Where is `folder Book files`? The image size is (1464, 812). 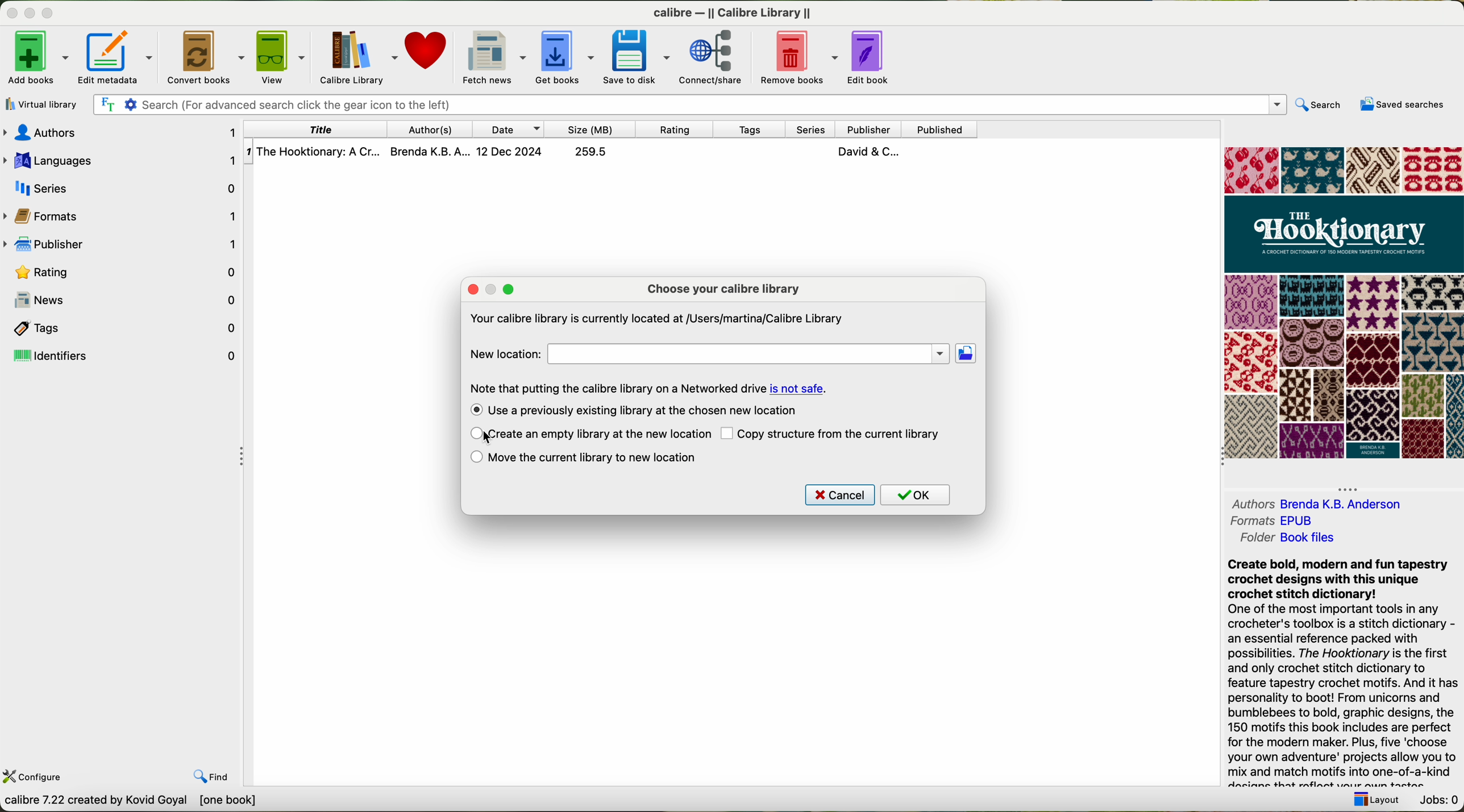 folder Book files is located at coordinates (1290, 540).